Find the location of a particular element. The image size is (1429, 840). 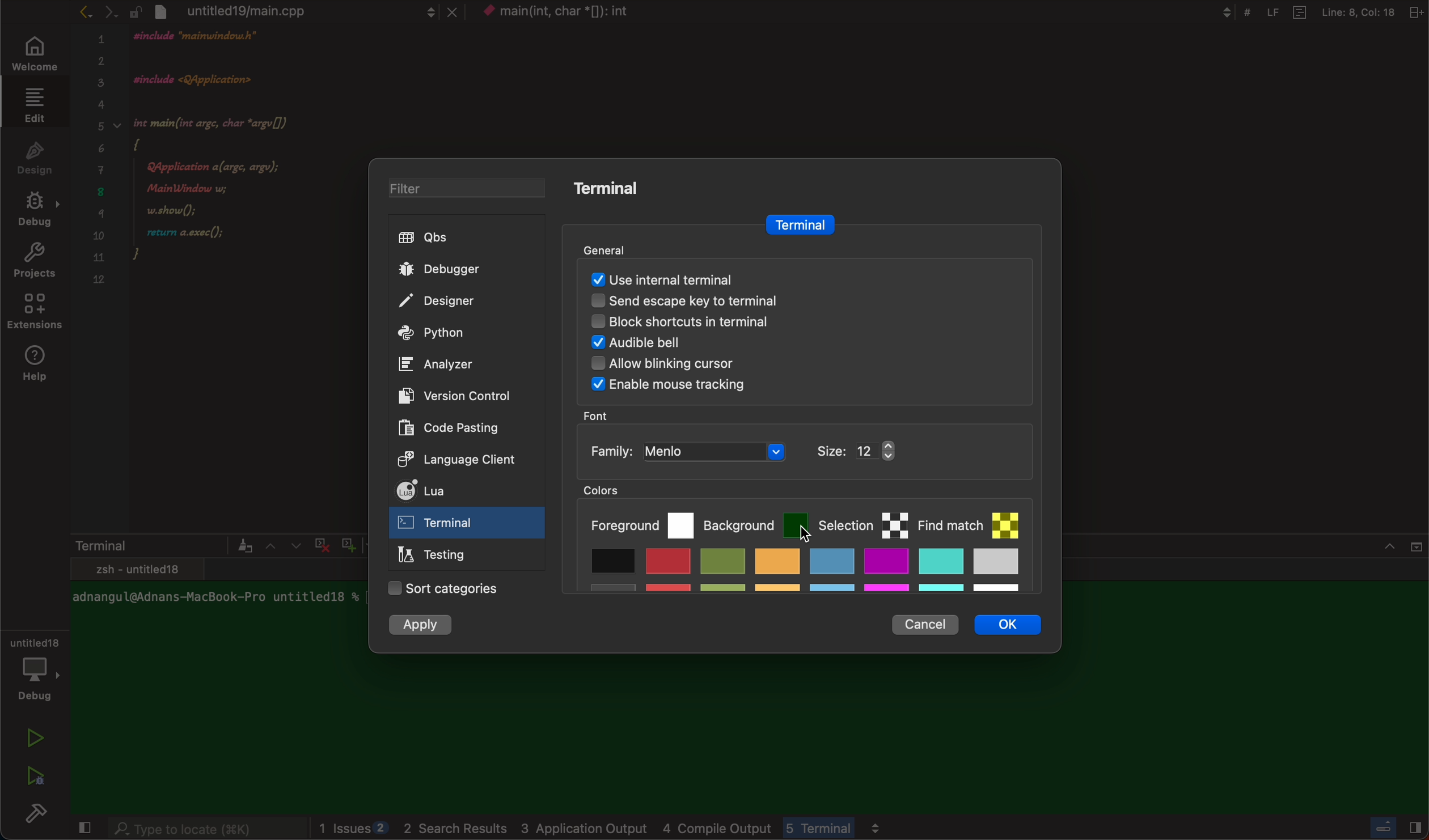

lua is located at coordinates (452, 493).